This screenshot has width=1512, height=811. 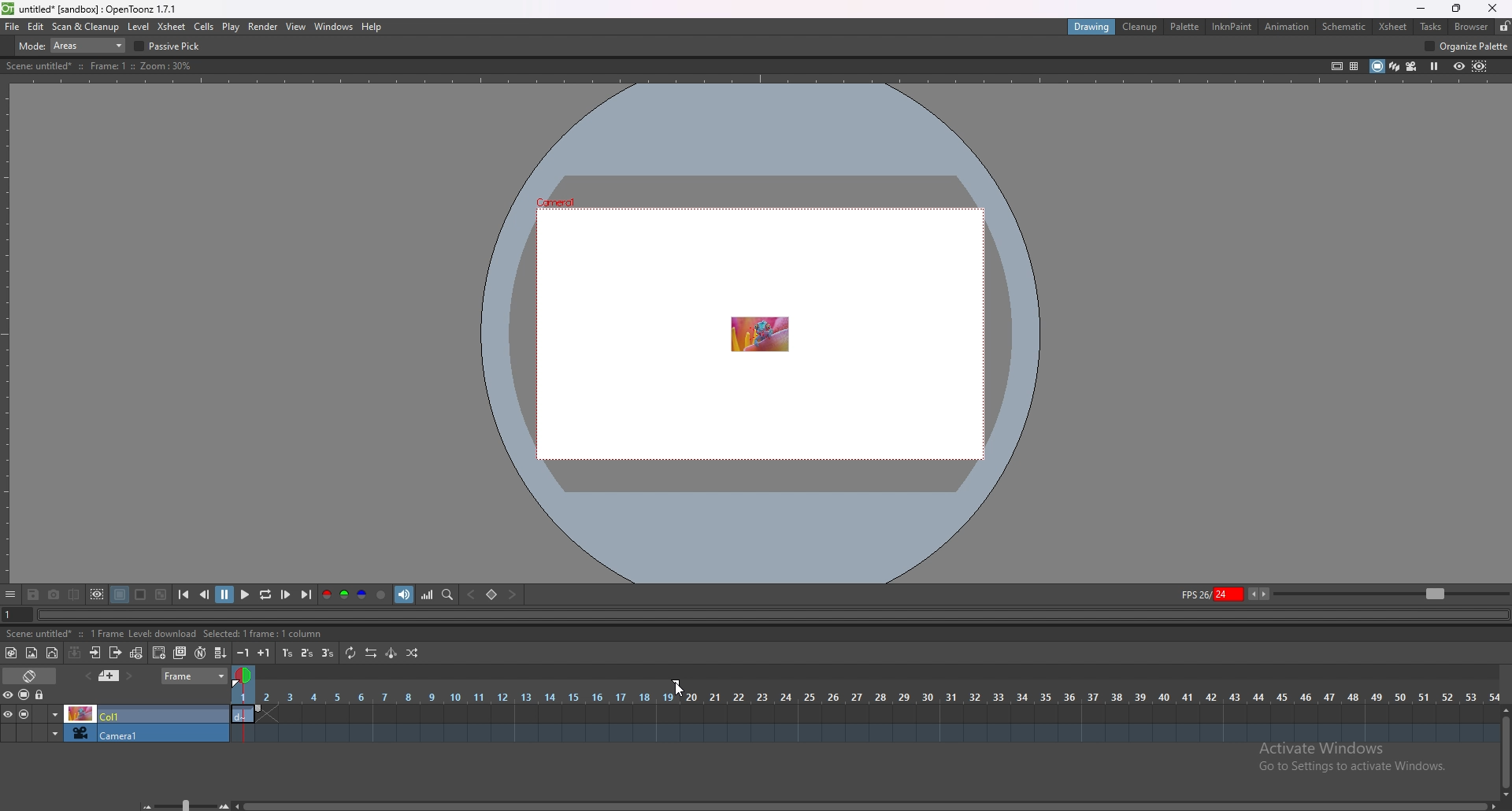 What do you see at coordinates (1392, 592) in the screenshot?
I see `zoom` at bounding box center [1392, 592].